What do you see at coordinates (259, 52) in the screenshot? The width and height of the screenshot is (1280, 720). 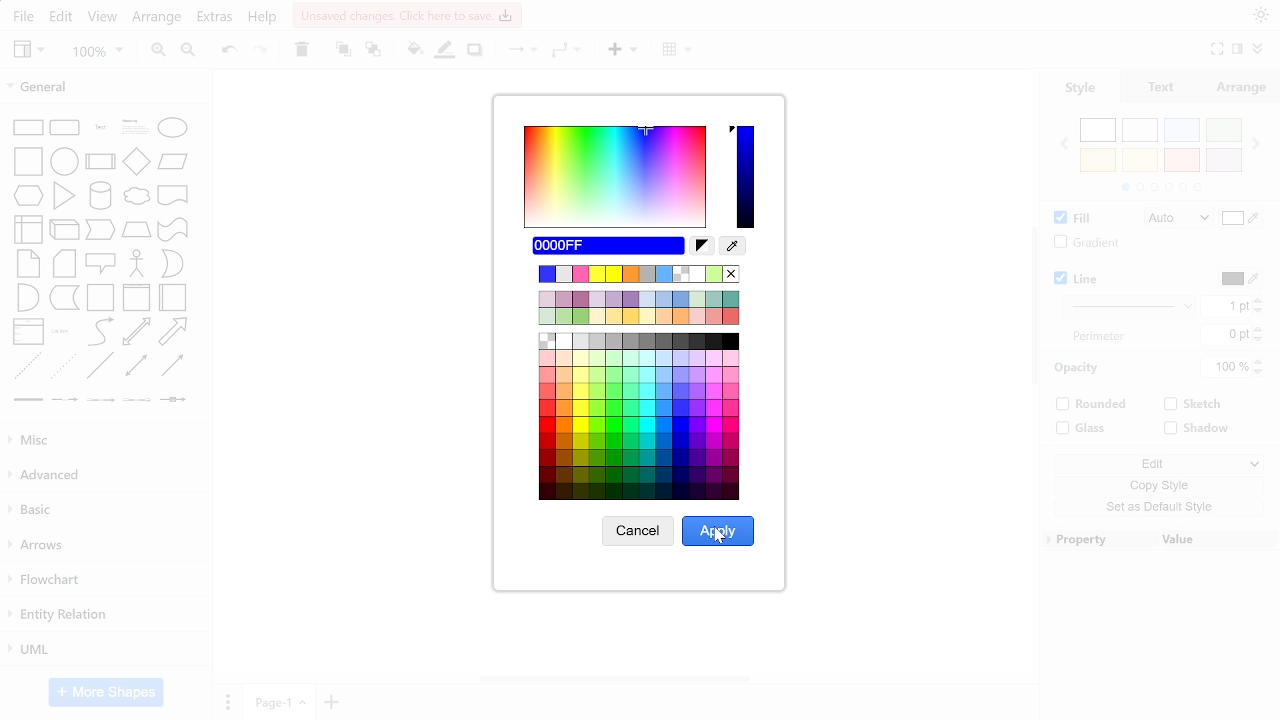 I see `redo` at bounding box center [259, 52].